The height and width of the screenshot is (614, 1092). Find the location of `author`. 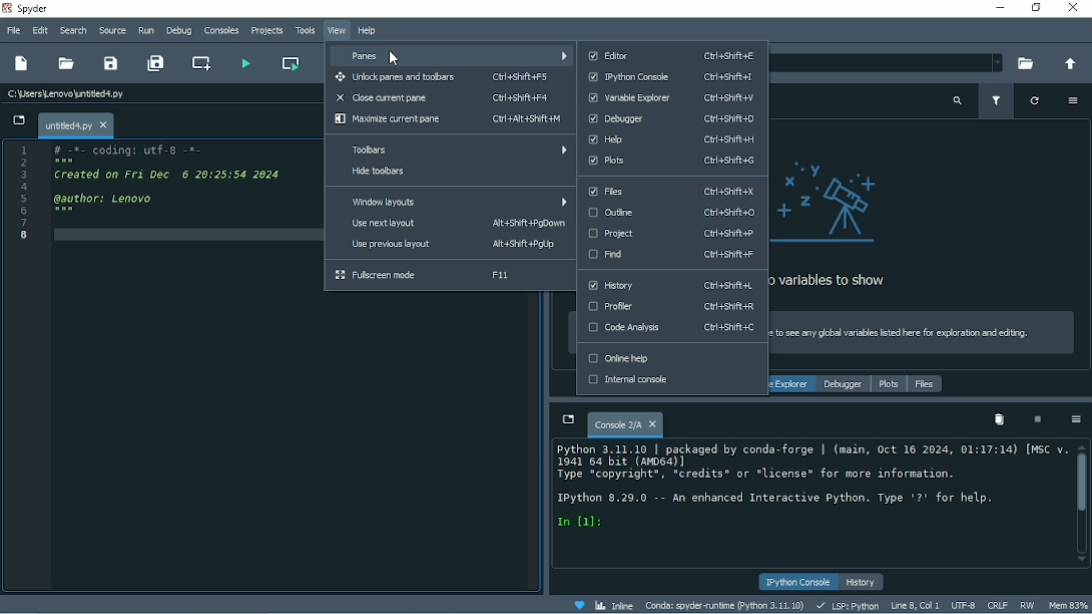

author is located at coordinates (103, 199).